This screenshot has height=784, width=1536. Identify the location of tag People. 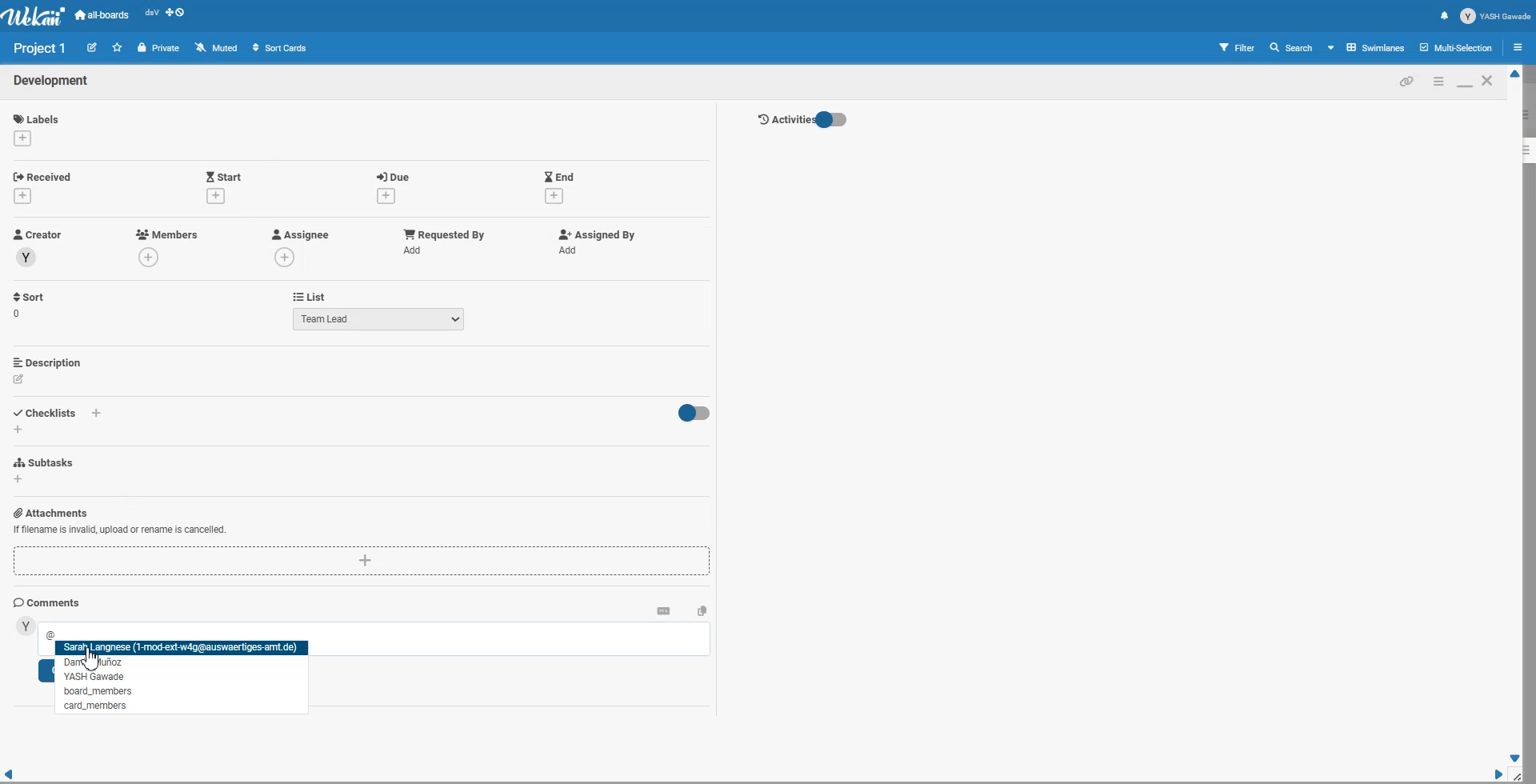
(100, 690).